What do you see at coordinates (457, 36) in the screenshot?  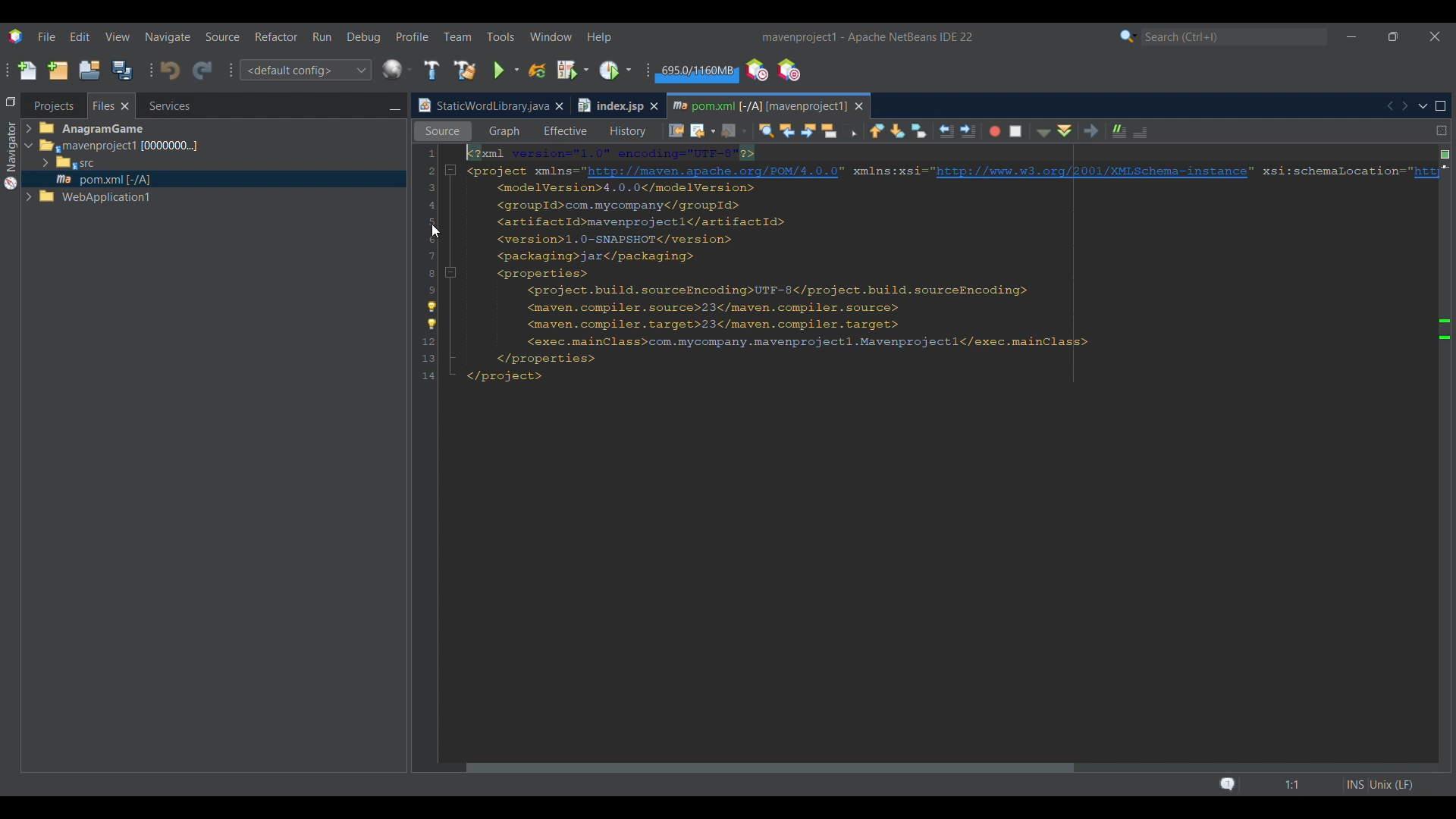 I see `Team menu` at bounding box center [457, 36].